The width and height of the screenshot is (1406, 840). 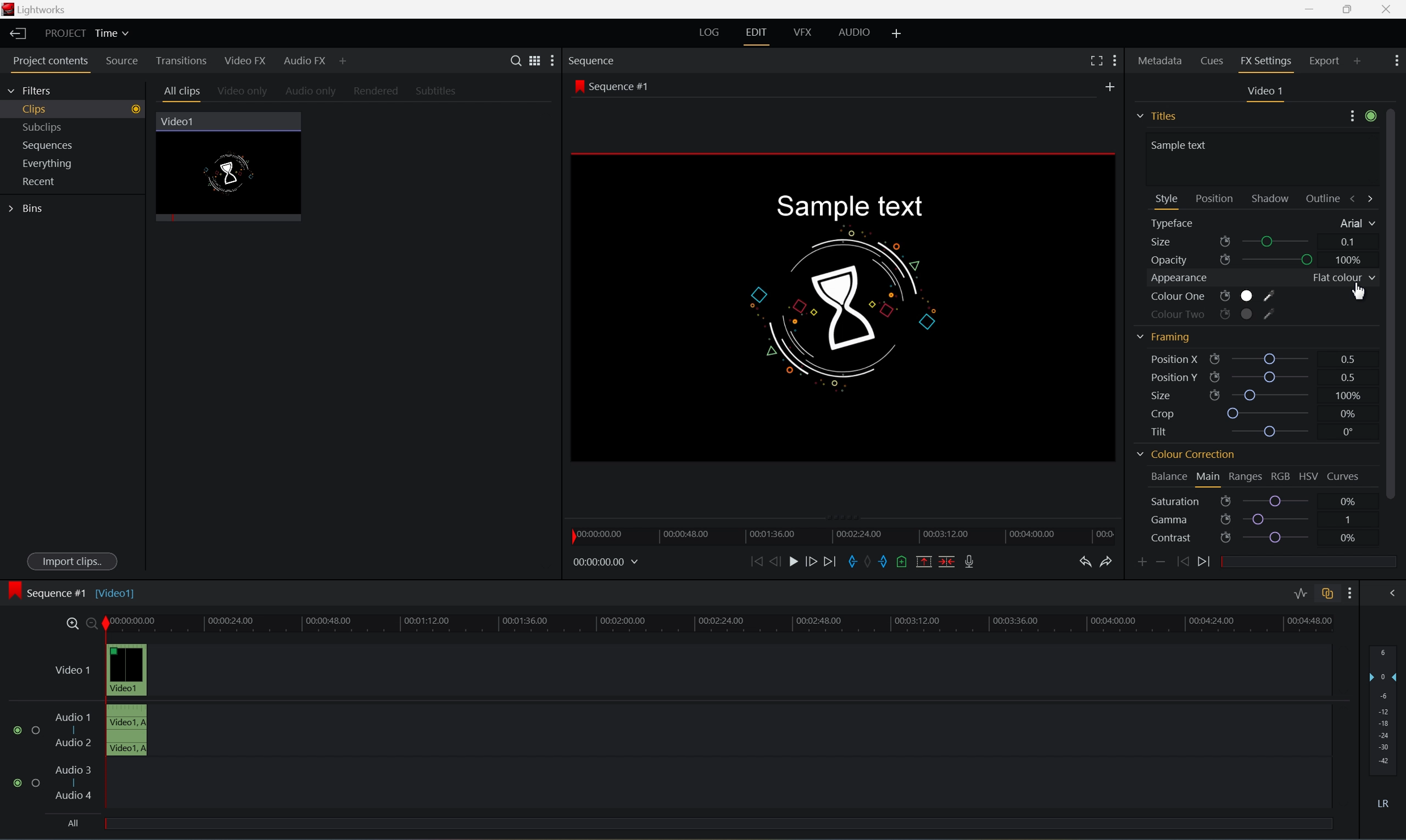 I want to click on PROJECT, so click(x=67, y=33).